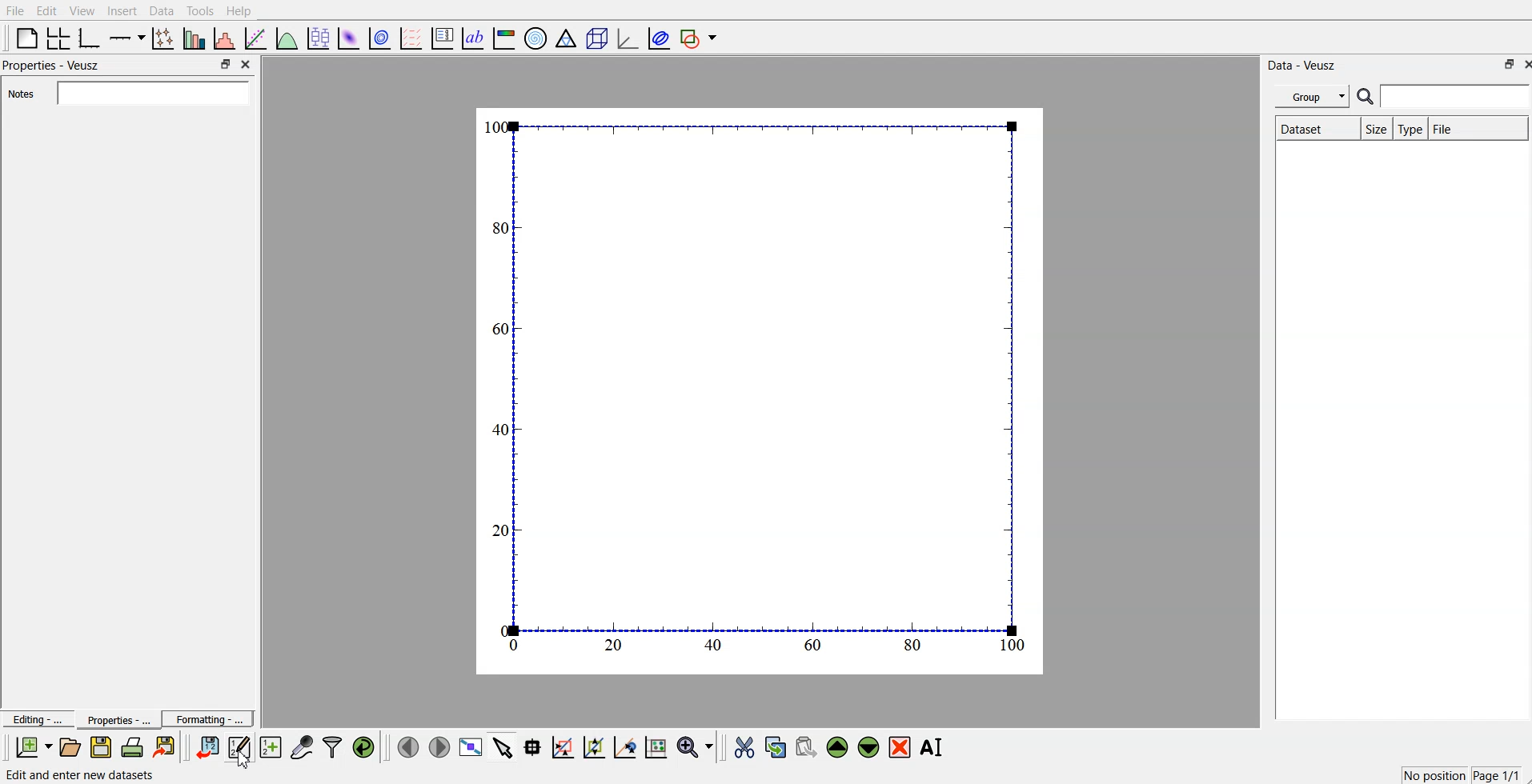 The width and height of the screenshot is (1532, 784). Describe the element at coordinates (334, 746) in the screenshot. I see `Filter data` at that location.